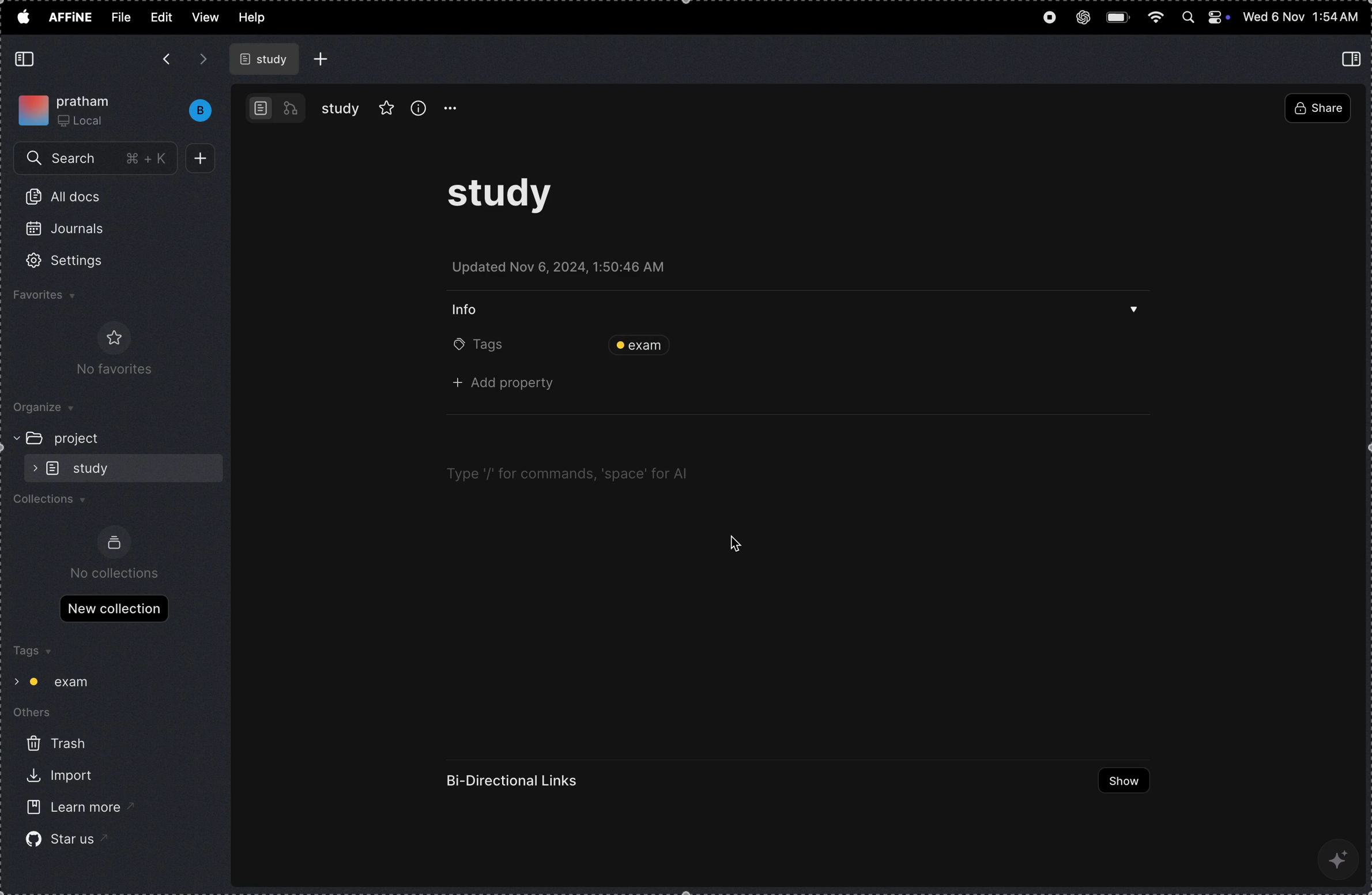 This screenshot has width=1372, height=895. I want to click on all docs, so click(69, 199).